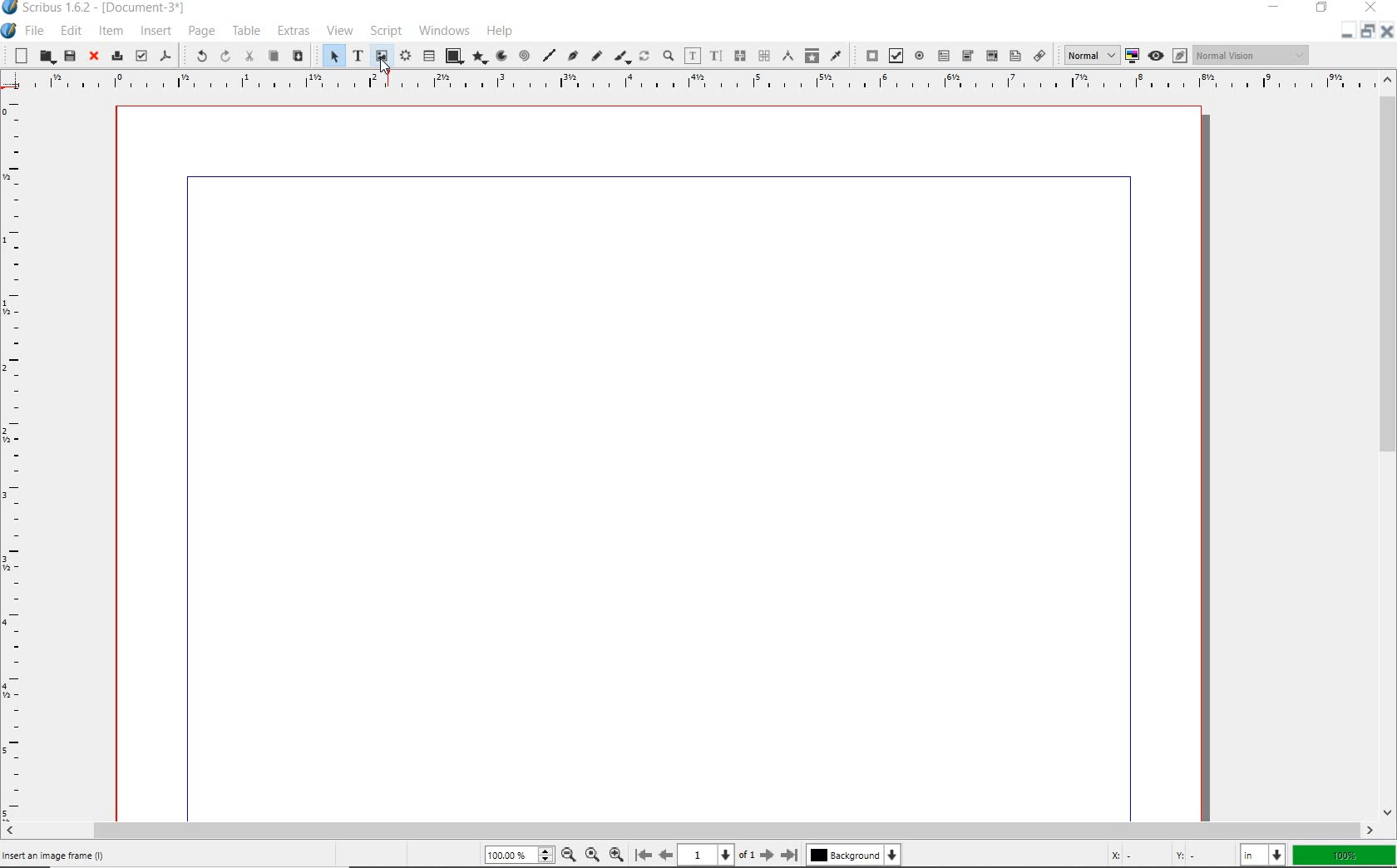 The width and height of the screenshot is (1397, 868). Describe the element at coordinates (811, 57) in the screenshot. I see `copy item properties` at that location.